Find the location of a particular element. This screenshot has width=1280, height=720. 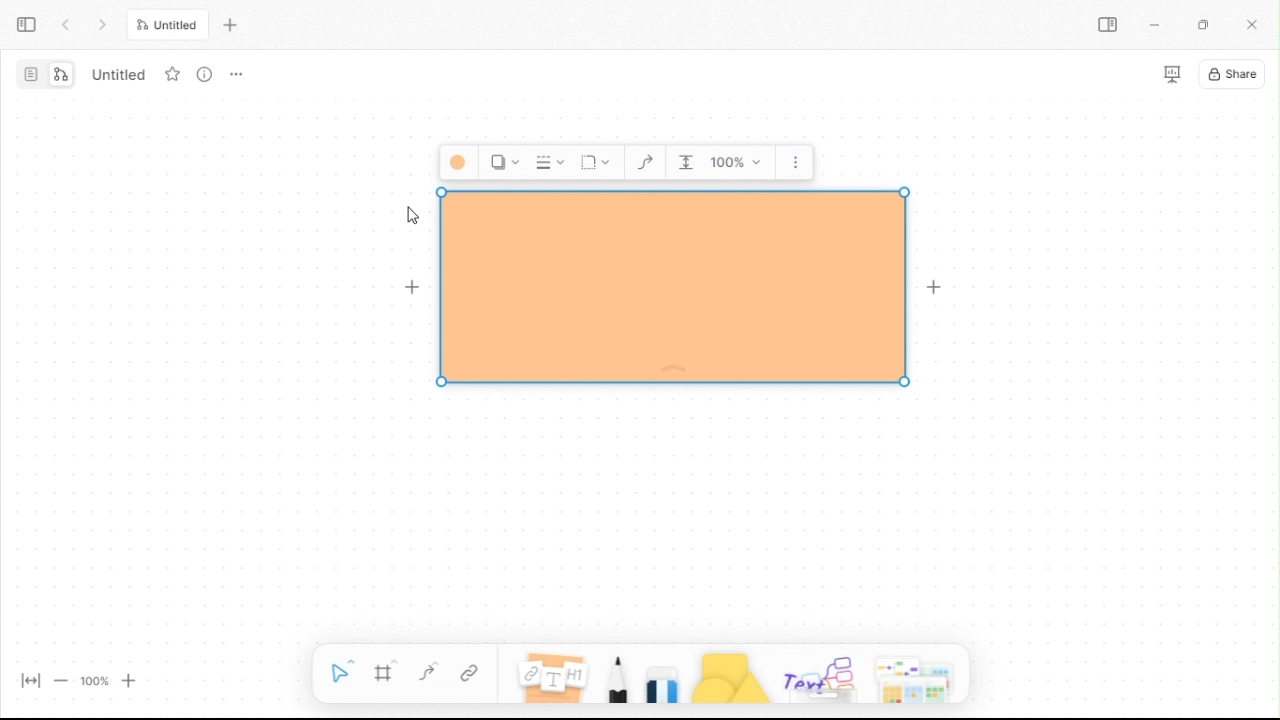

notes is located at coordinates (552, 676).